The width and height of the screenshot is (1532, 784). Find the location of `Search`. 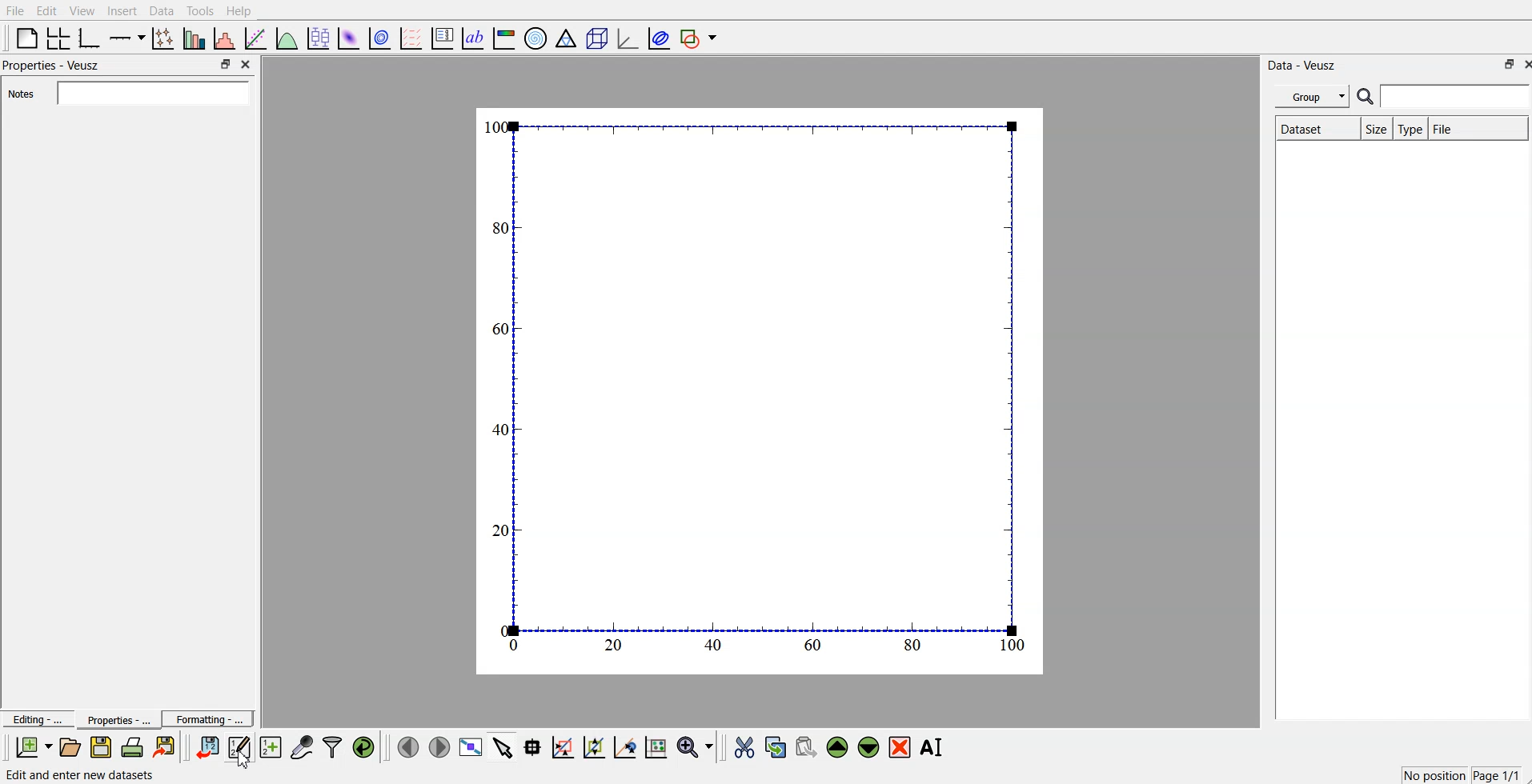

Search is located at coordinates (1444, 97).